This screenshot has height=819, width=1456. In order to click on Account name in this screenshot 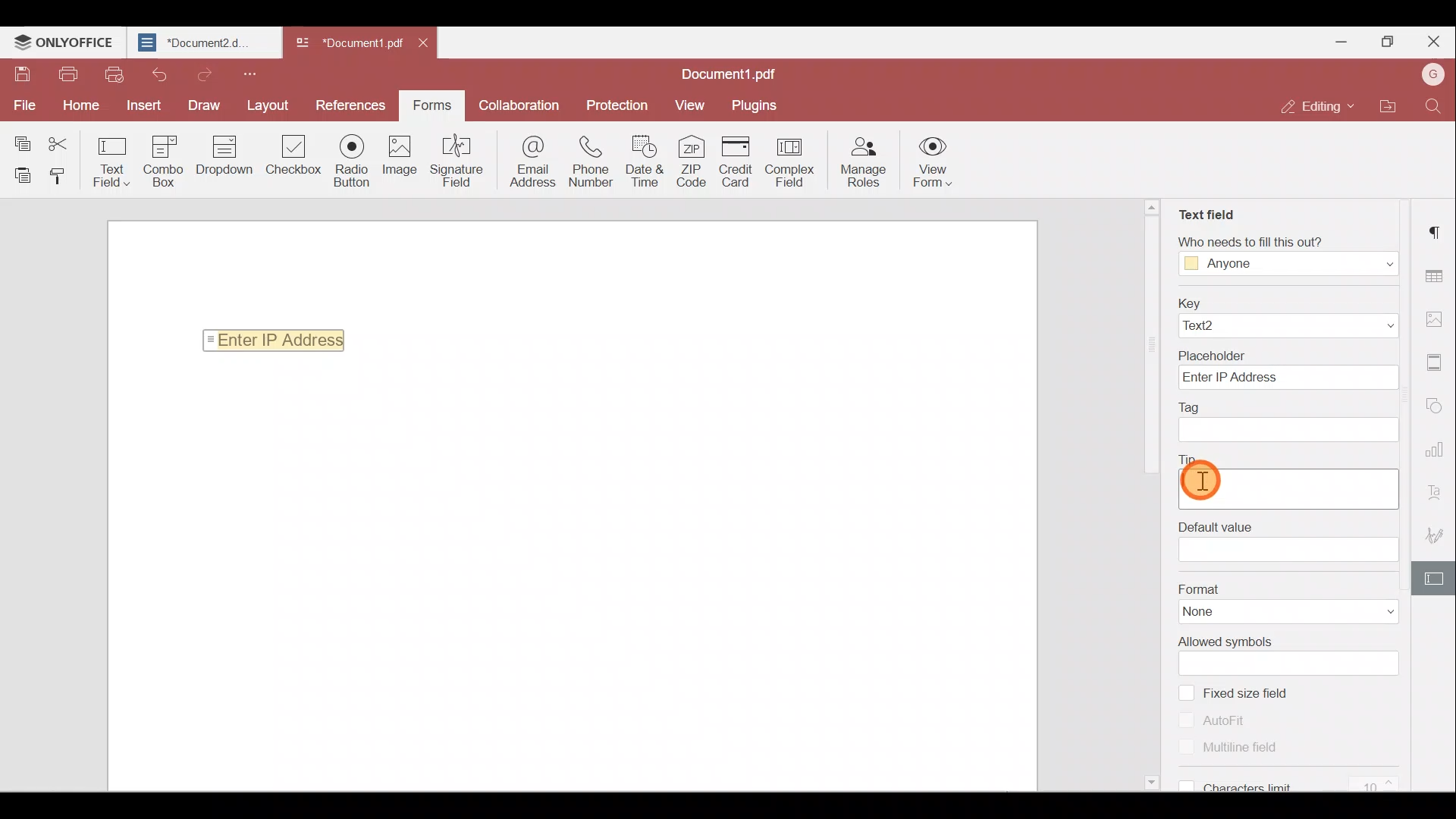, I will do `click(1432, 73)`.